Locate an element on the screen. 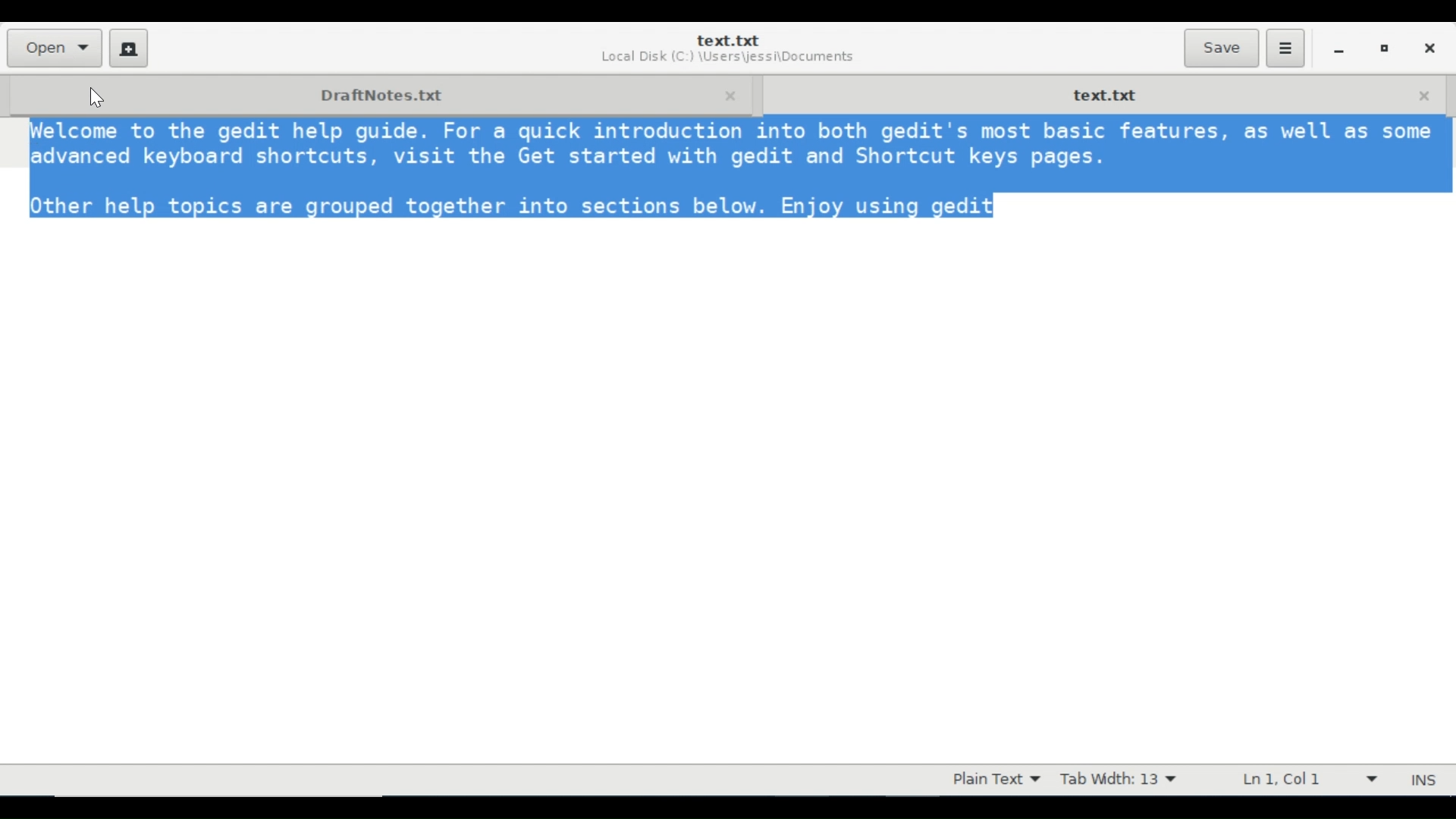 The image size is (1456, 819). Save is located at coordinates (1221, 48).